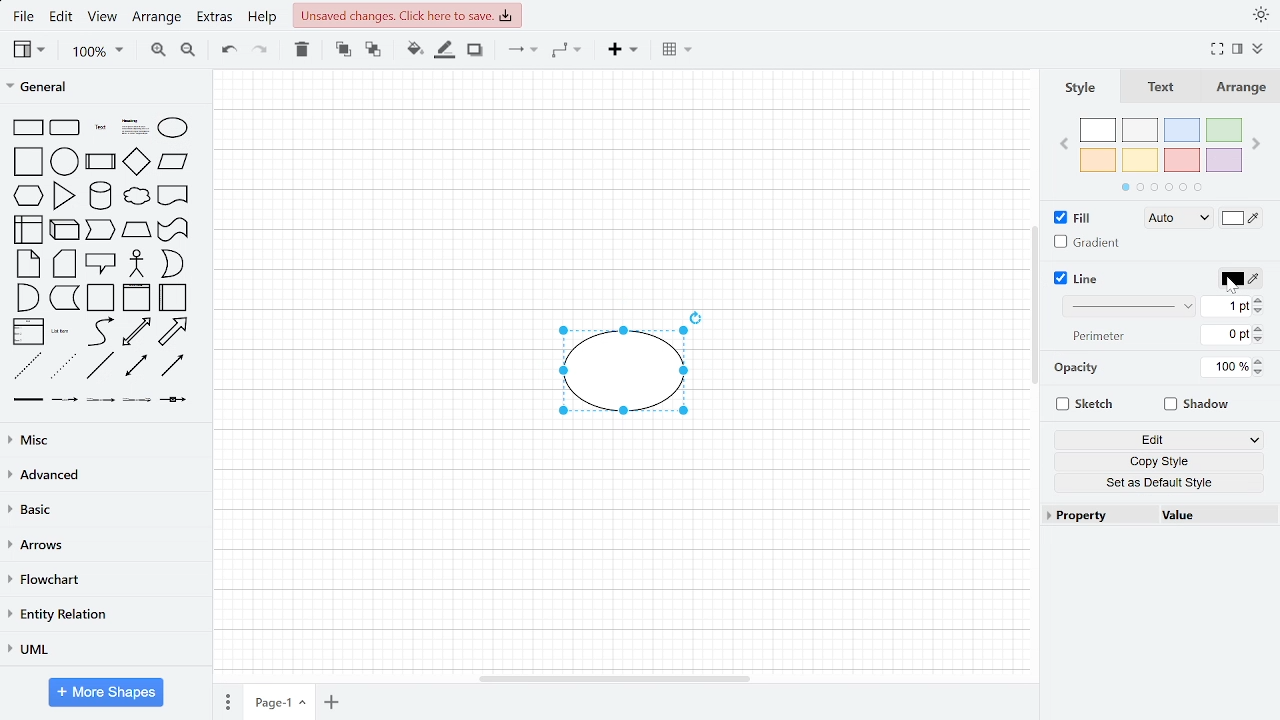 The height and width of the screenshot is (720, 1280). Describe the element at coordinates (1159, 481) in the screenshot. I see `set as default page style` at that location.